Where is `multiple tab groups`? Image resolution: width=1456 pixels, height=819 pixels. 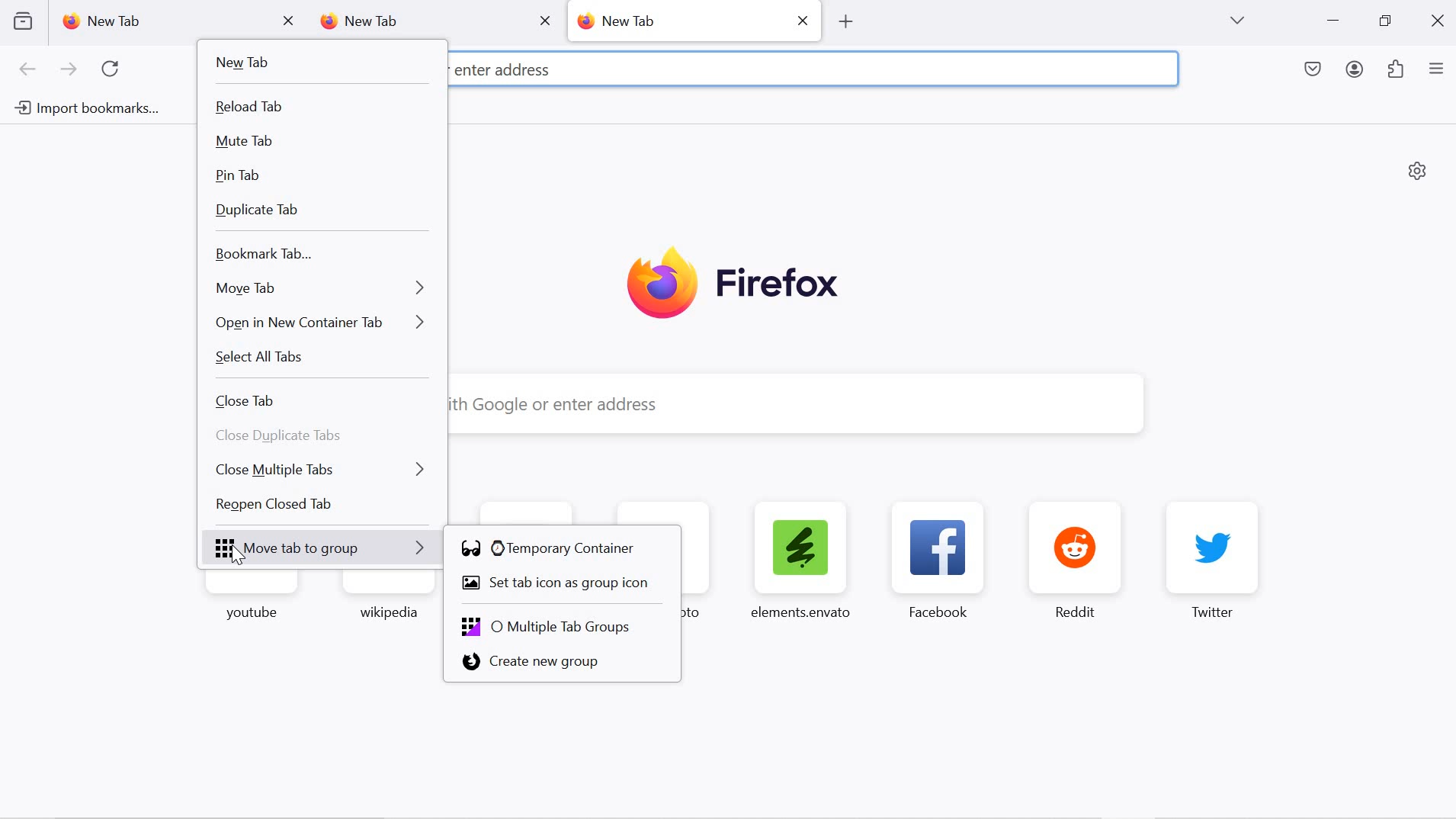 multiple tab groups is located at coordinates (566, 625).